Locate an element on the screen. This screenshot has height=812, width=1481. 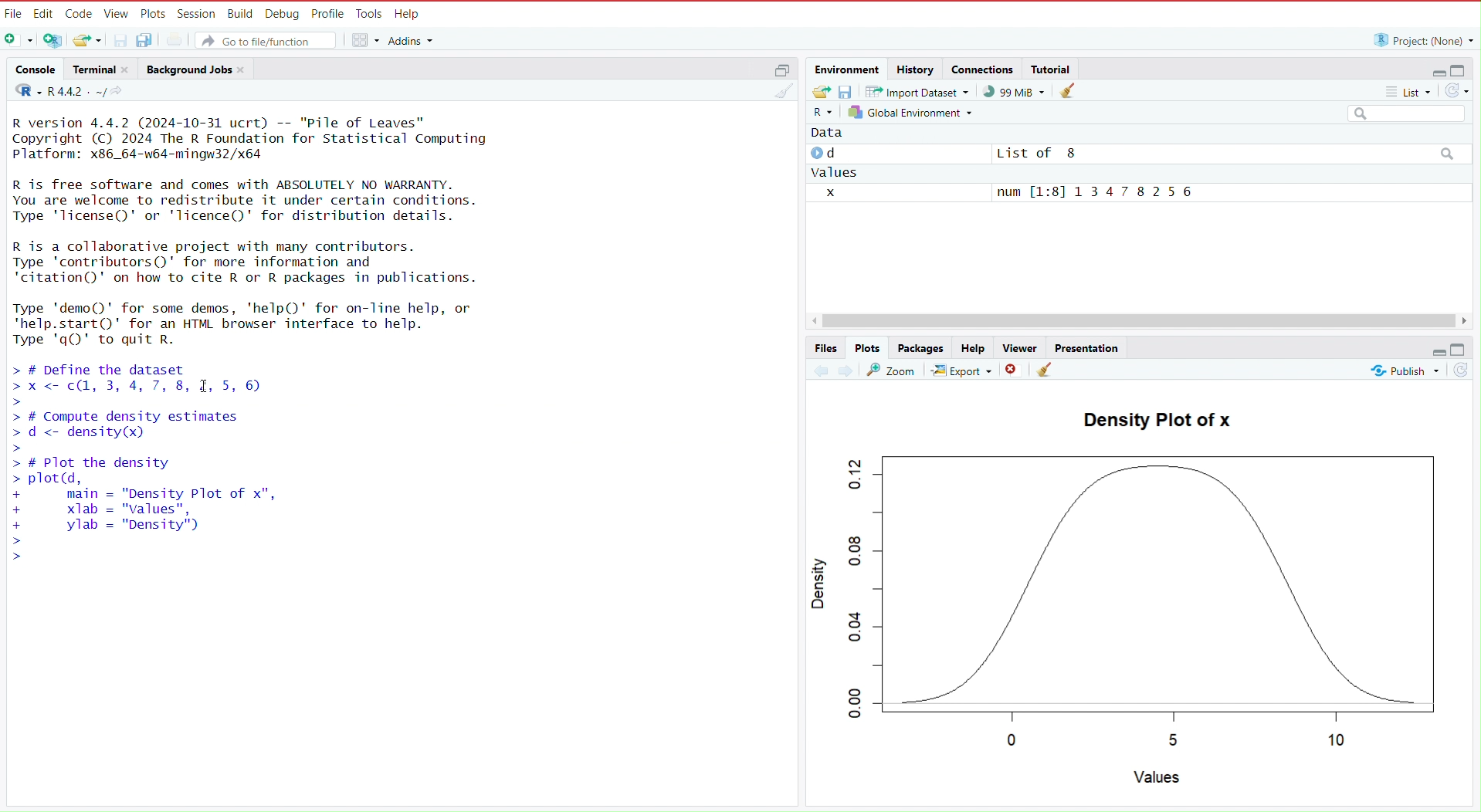
x is located at coordinates (834, 192).